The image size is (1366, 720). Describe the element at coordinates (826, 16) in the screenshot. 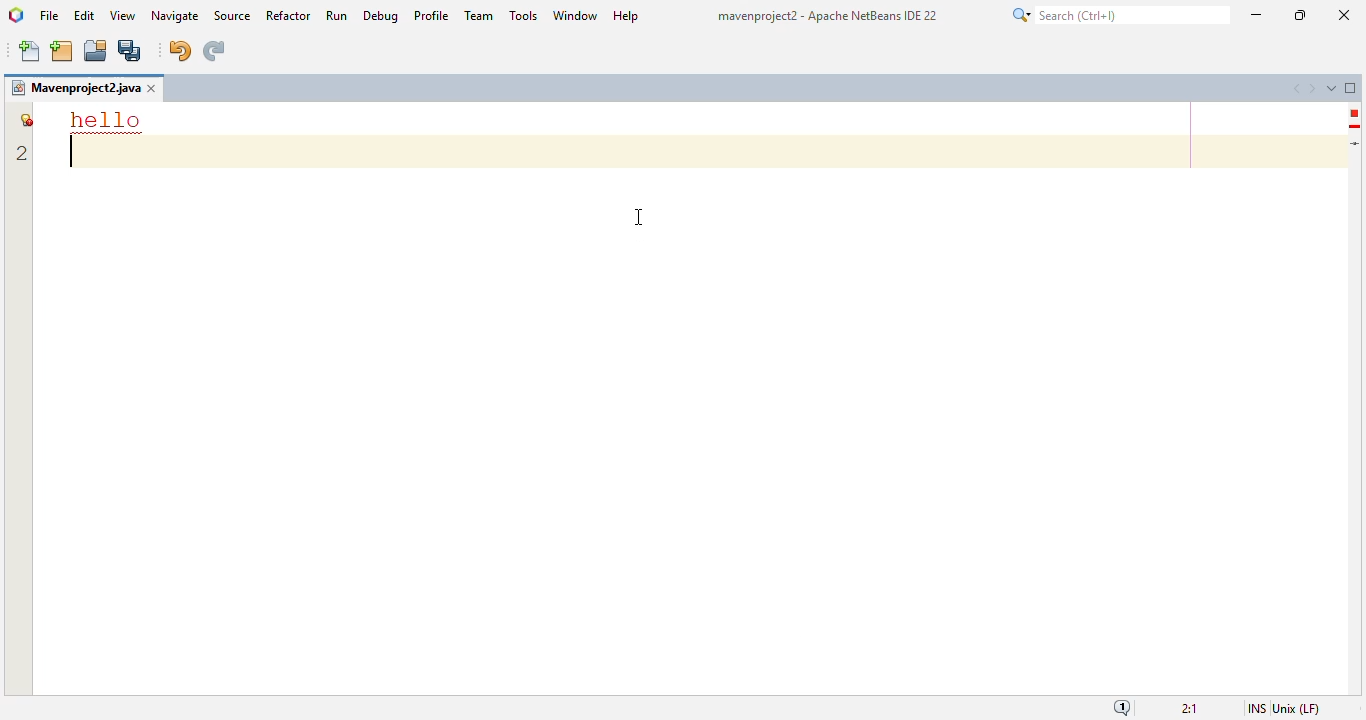

I see `title` at that location.